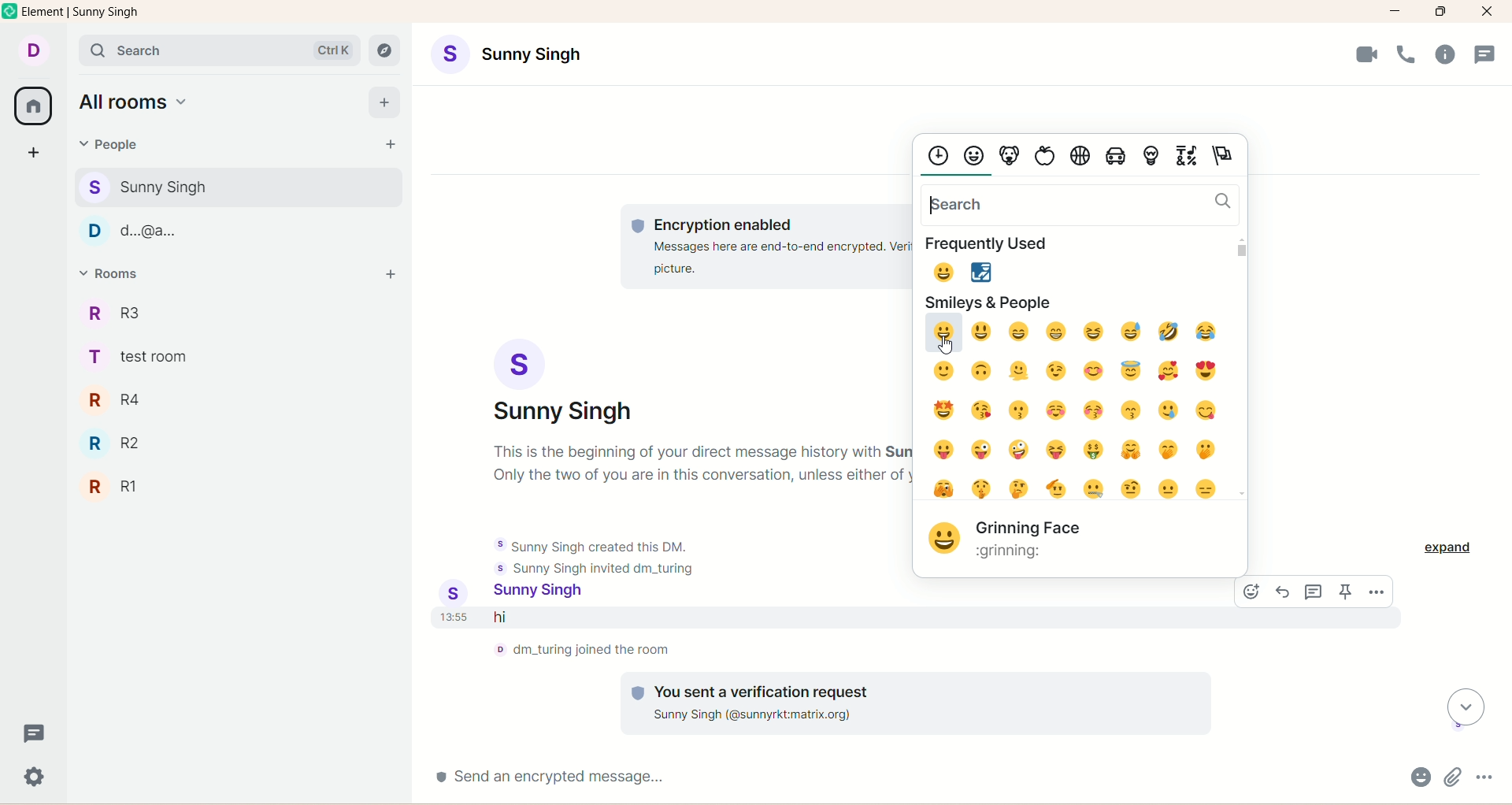  What do you see at coordinates (1056, 489) in the screenshot?
I see `Saluting face` at bounding box center [1056, 489].